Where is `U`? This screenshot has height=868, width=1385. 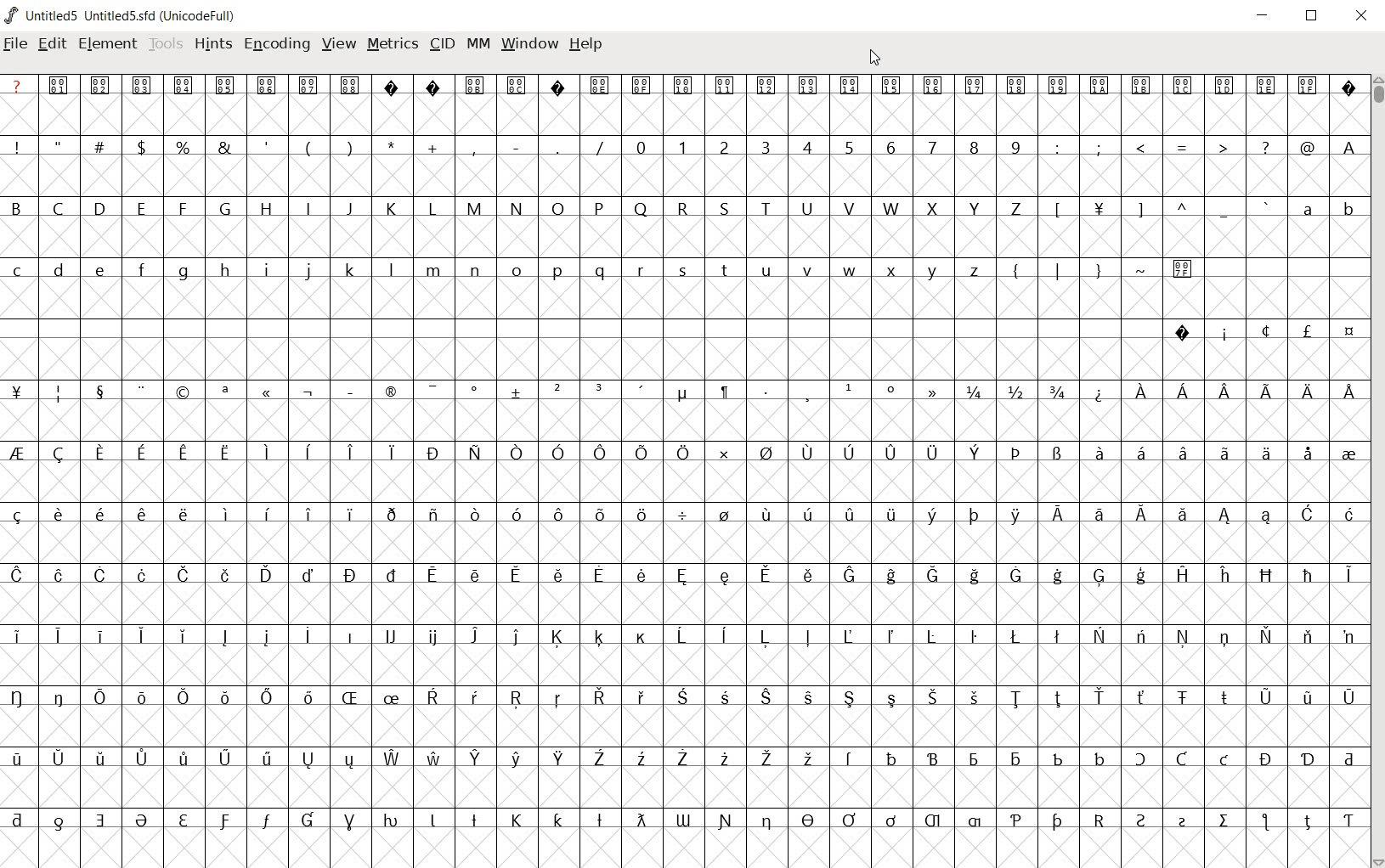
U is located at coordinates (807, 210).